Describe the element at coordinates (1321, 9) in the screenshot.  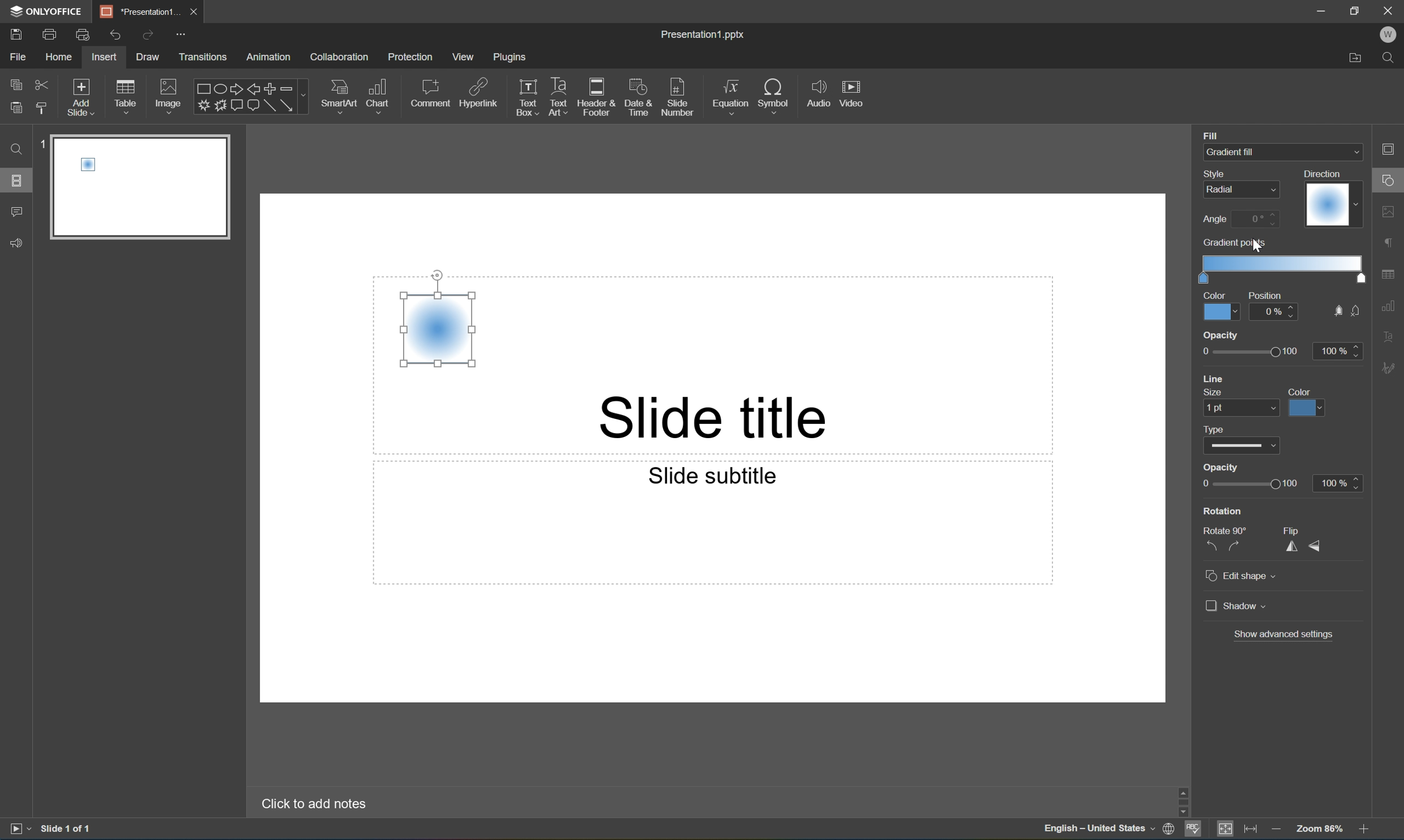
I see `Minimize` at that location.